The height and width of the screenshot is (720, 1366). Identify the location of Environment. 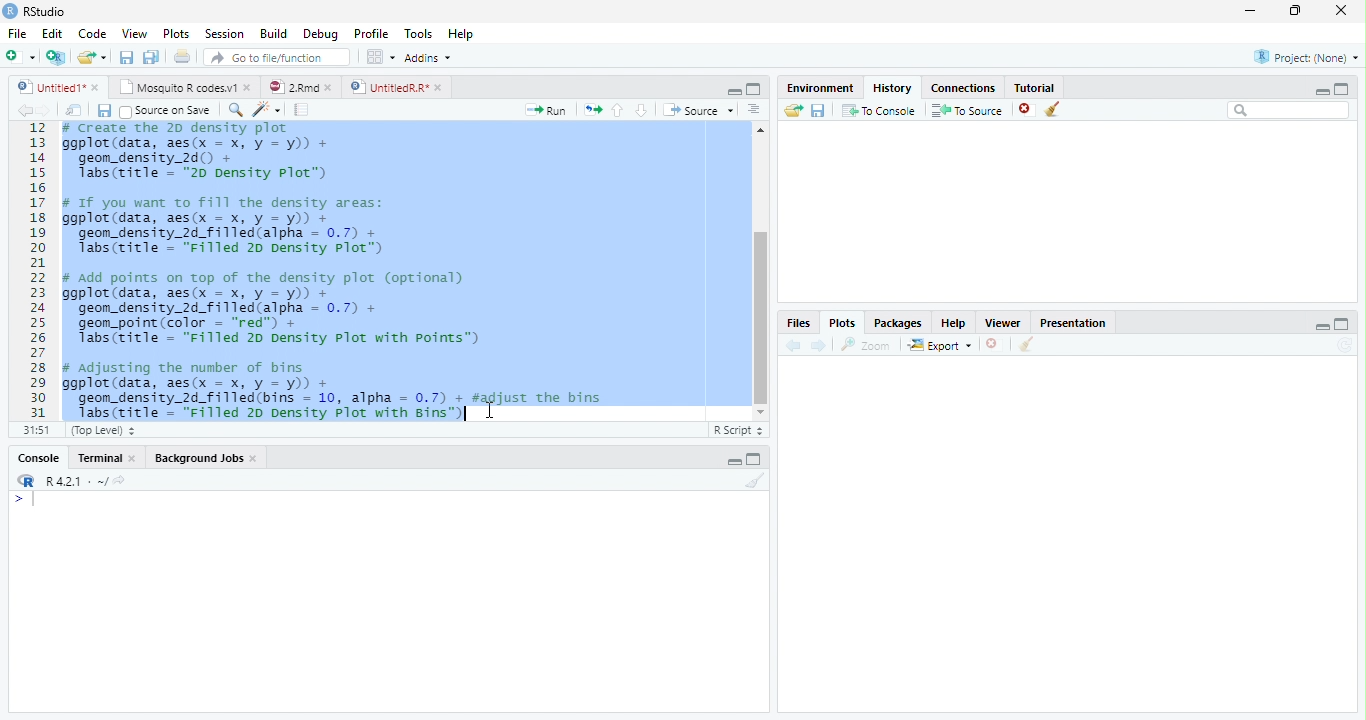
(818, 88).